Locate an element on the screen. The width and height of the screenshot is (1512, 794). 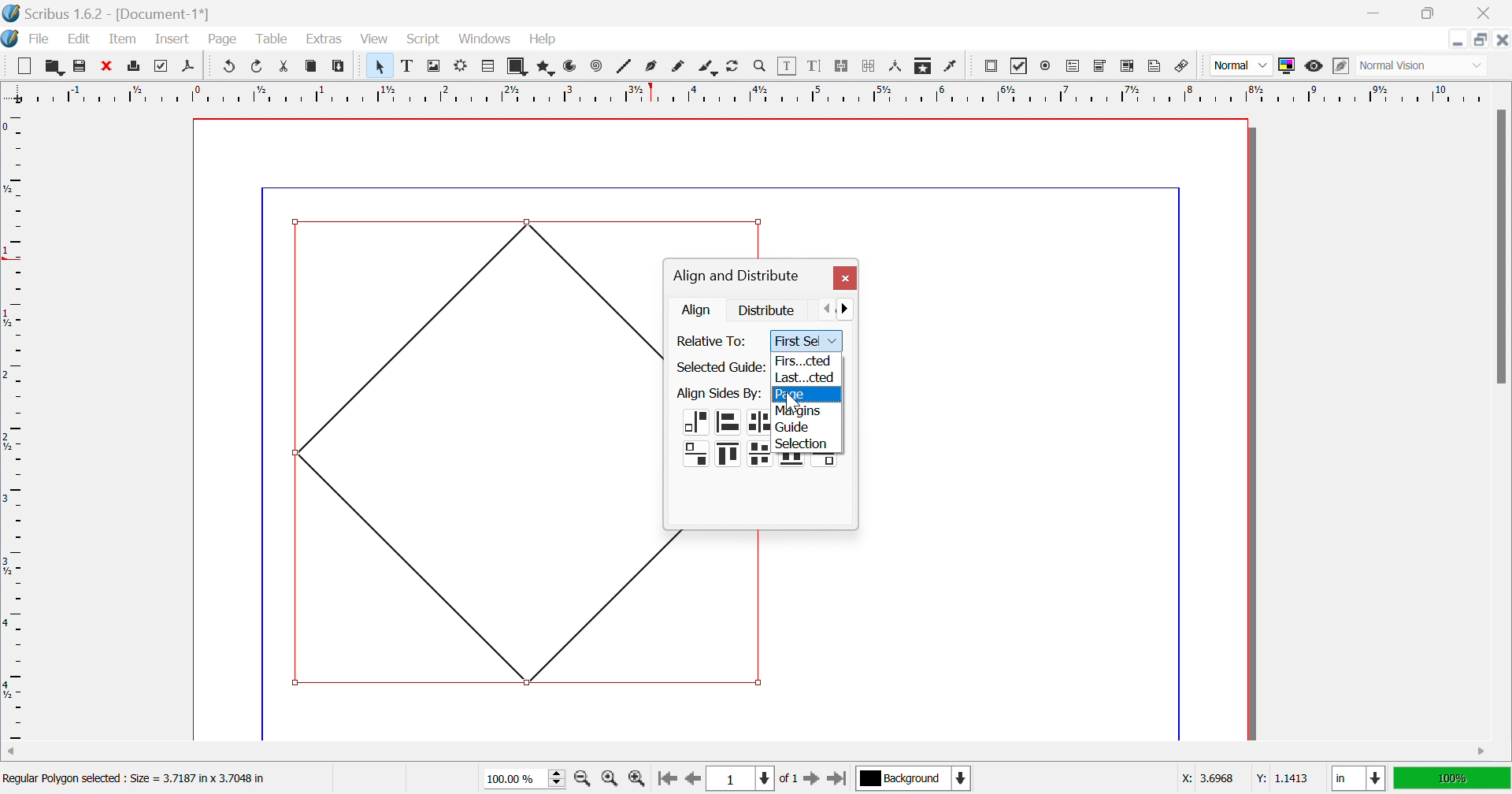
Page is located at coordinates (792, 395).